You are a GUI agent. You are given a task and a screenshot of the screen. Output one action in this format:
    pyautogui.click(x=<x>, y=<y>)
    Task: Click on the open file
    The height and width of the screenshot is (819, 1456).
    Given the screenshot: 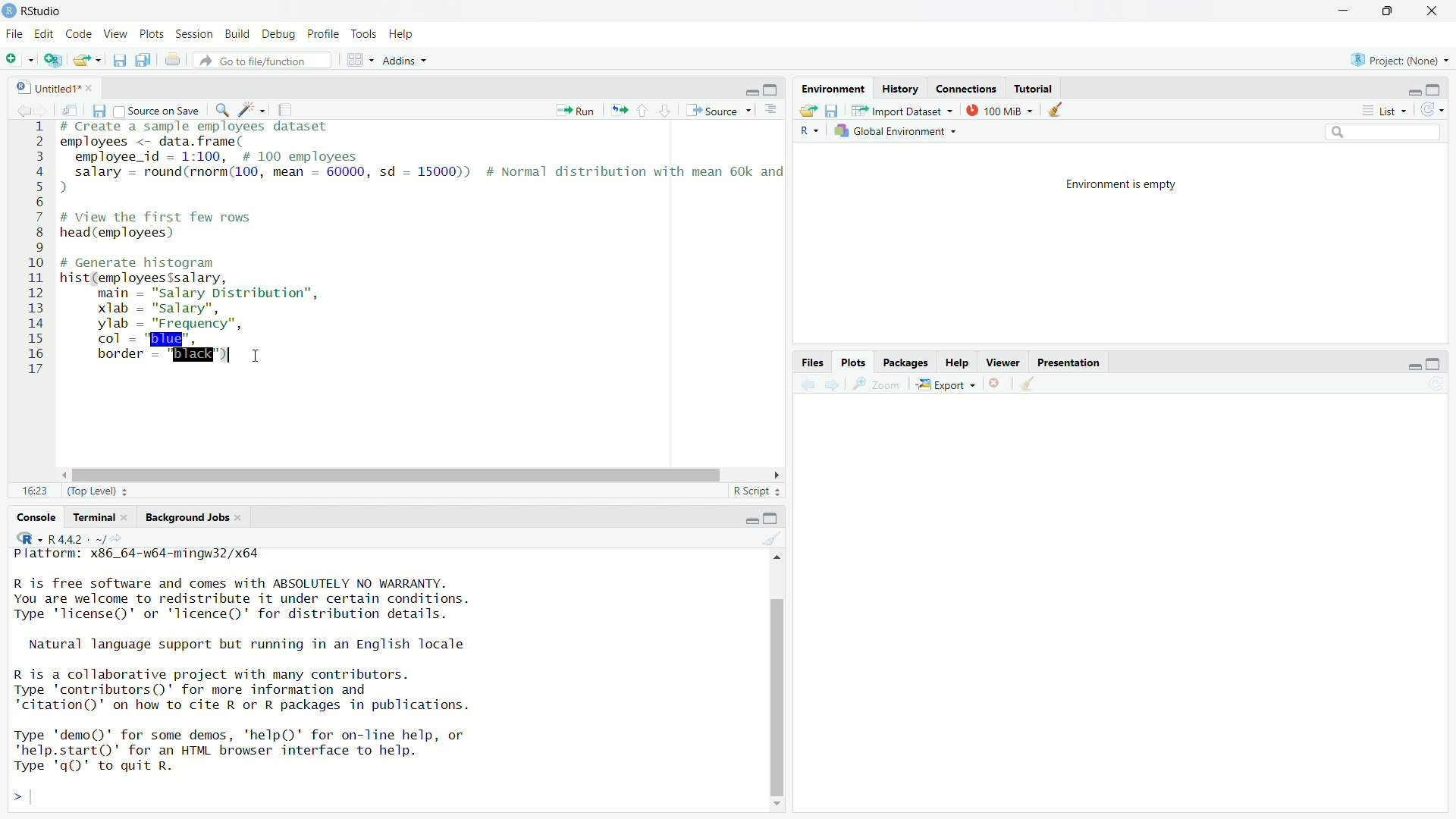 What is the action you would take?
    pyautogui.click(x=89, y=60)
    